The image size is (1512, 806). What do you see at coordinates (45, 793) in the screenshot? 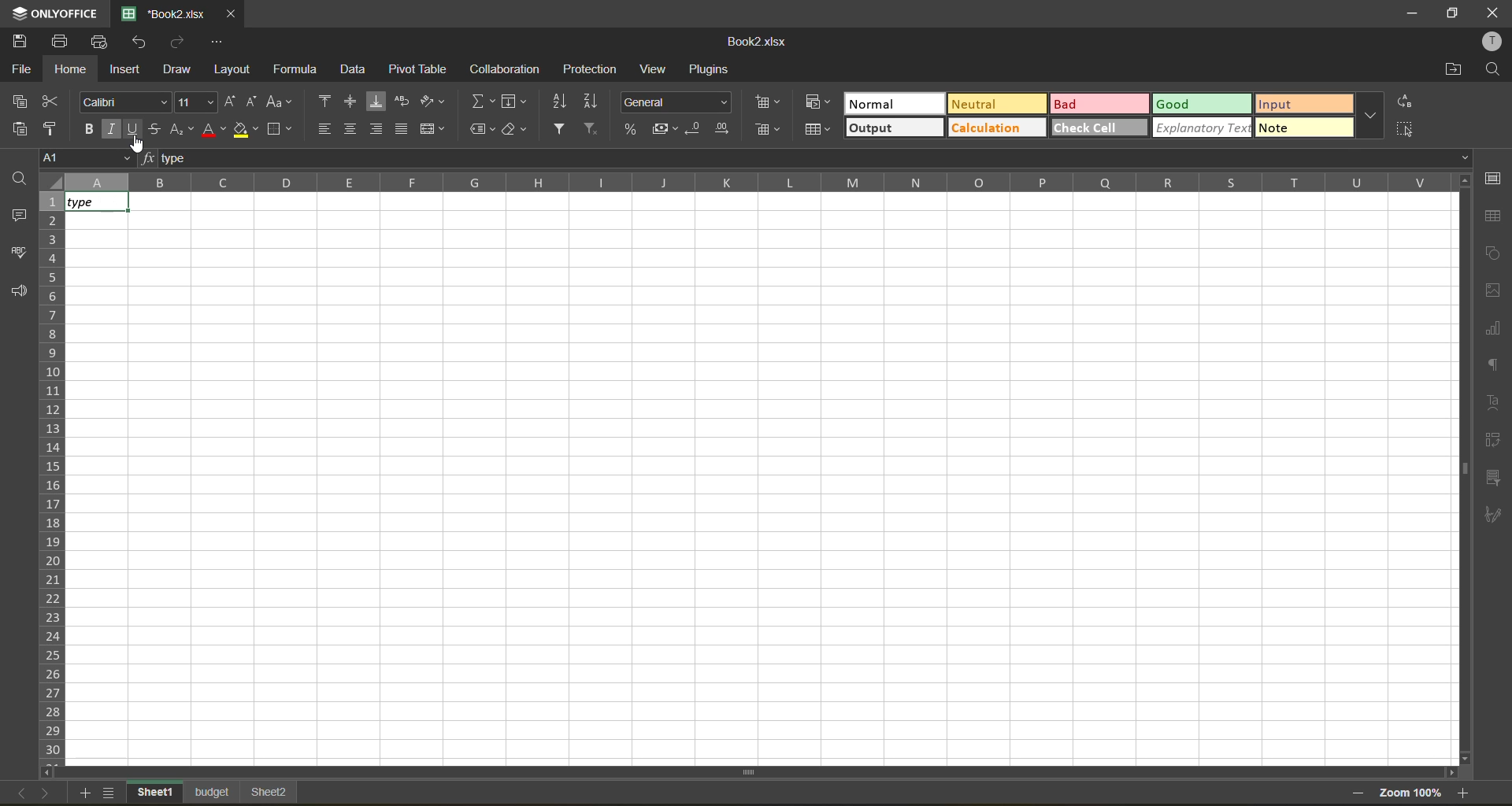
I see `next` at bounding box center [45, 793].